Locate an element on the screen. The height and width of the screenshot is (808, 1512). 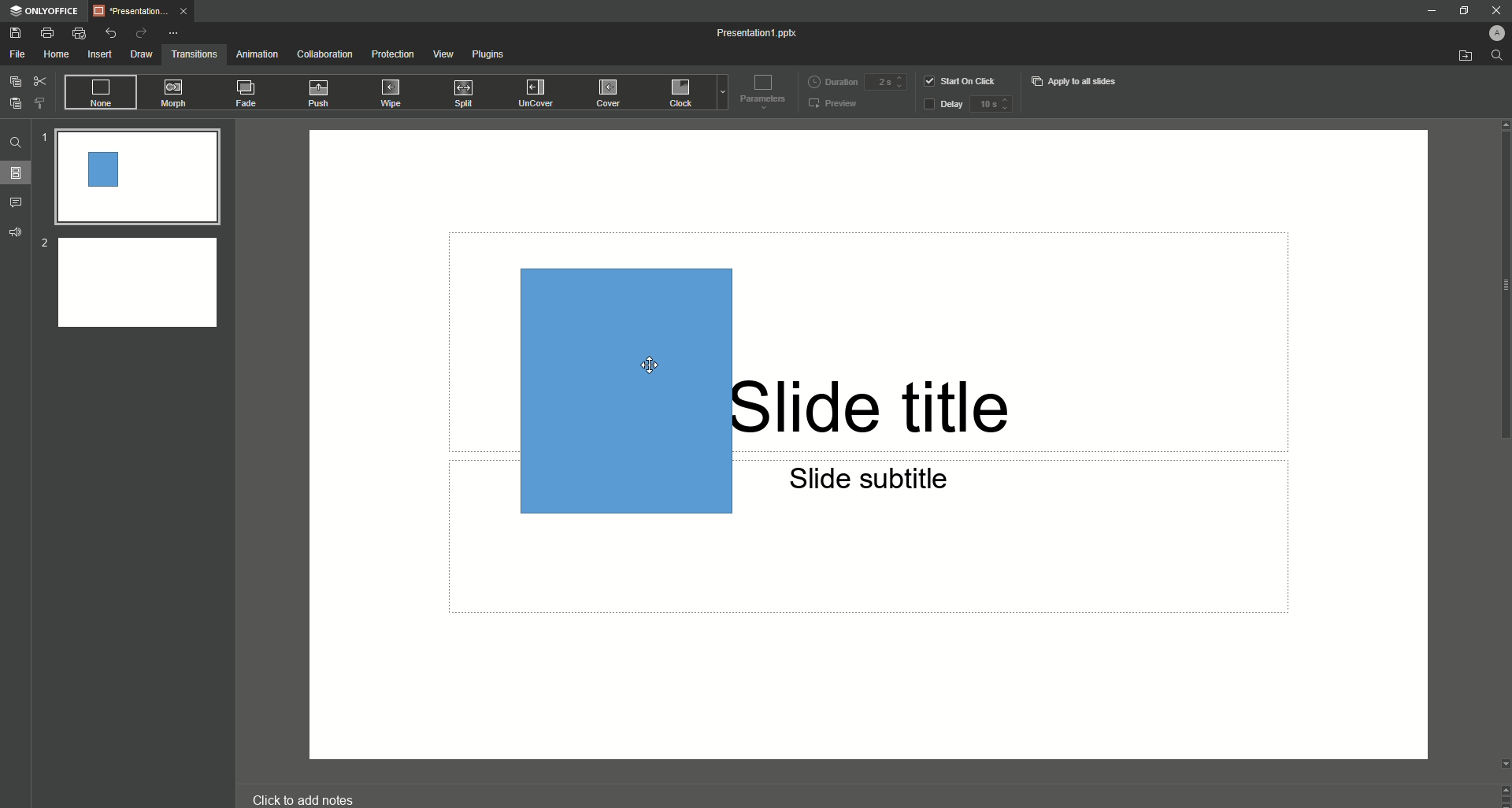
Save is located at coordinates (16, 32).